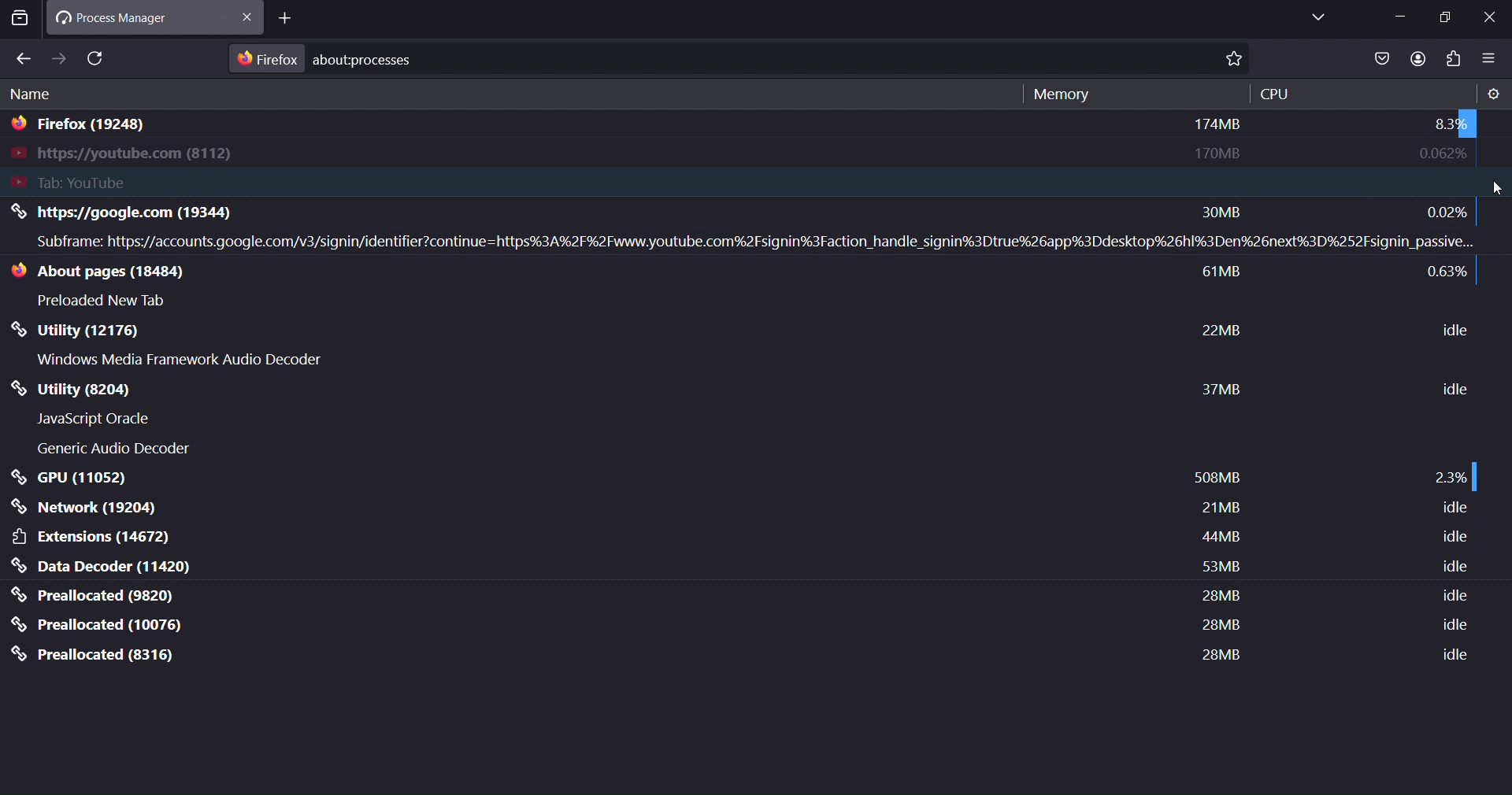  Describe the element at coordinates (1455, 508) in the screenshot. I see `idle` at that location.